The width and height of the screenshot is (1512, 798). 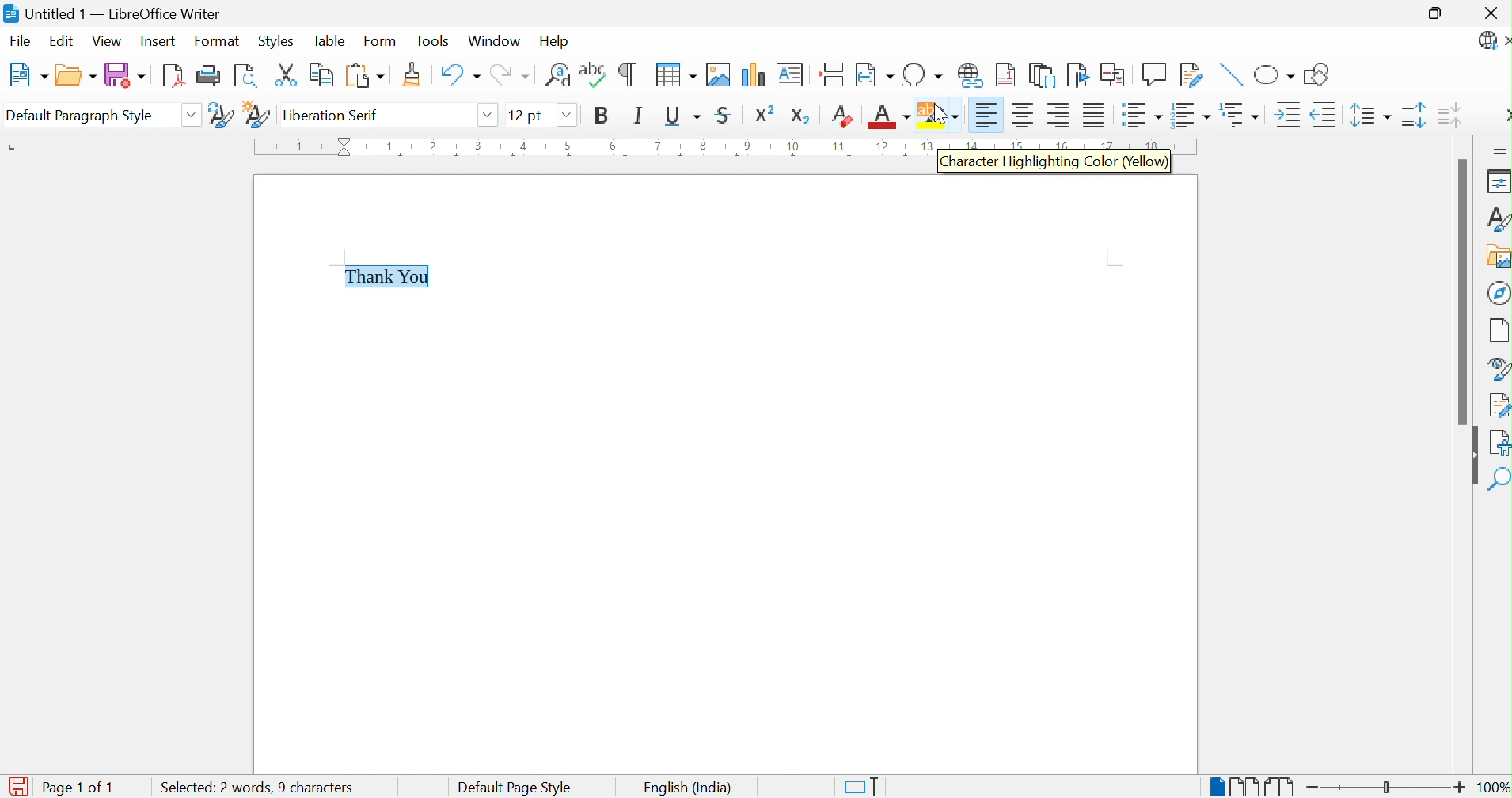 I want to click on Strikethrough, so click(x=725, y=113).